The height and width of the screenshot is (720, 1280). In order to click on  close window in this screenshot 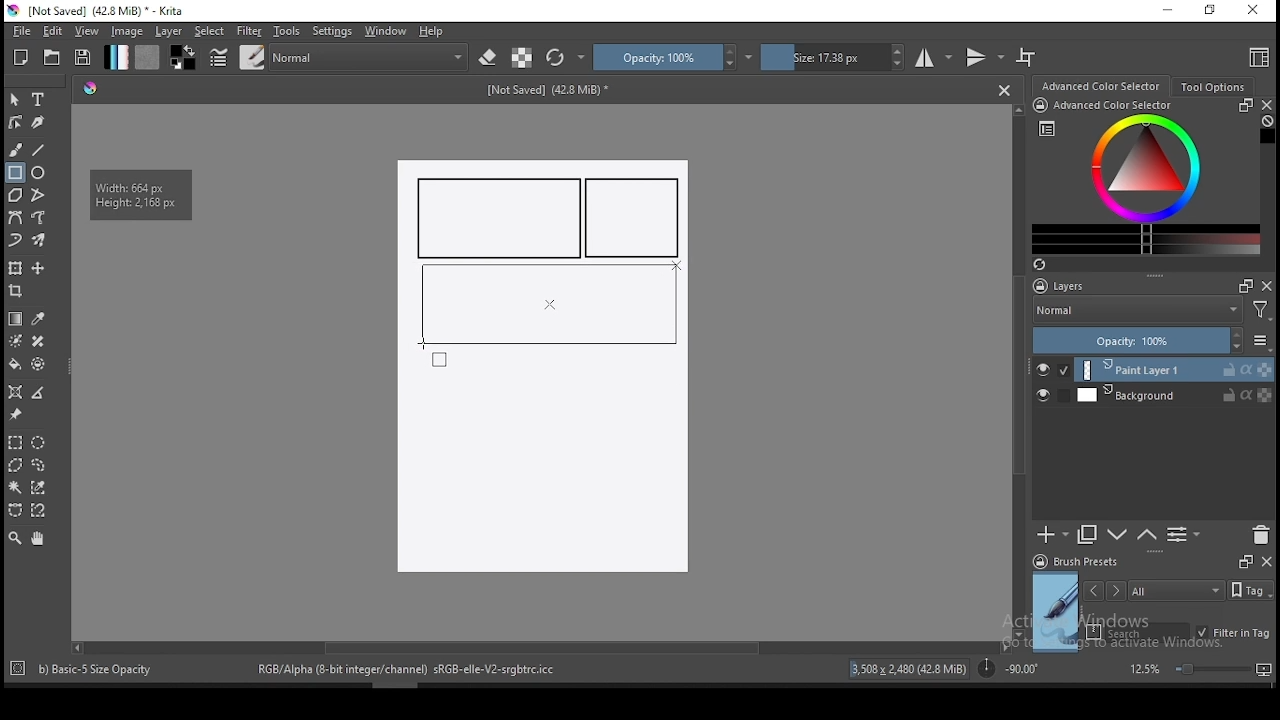, I will do `click(1255, 11)`.